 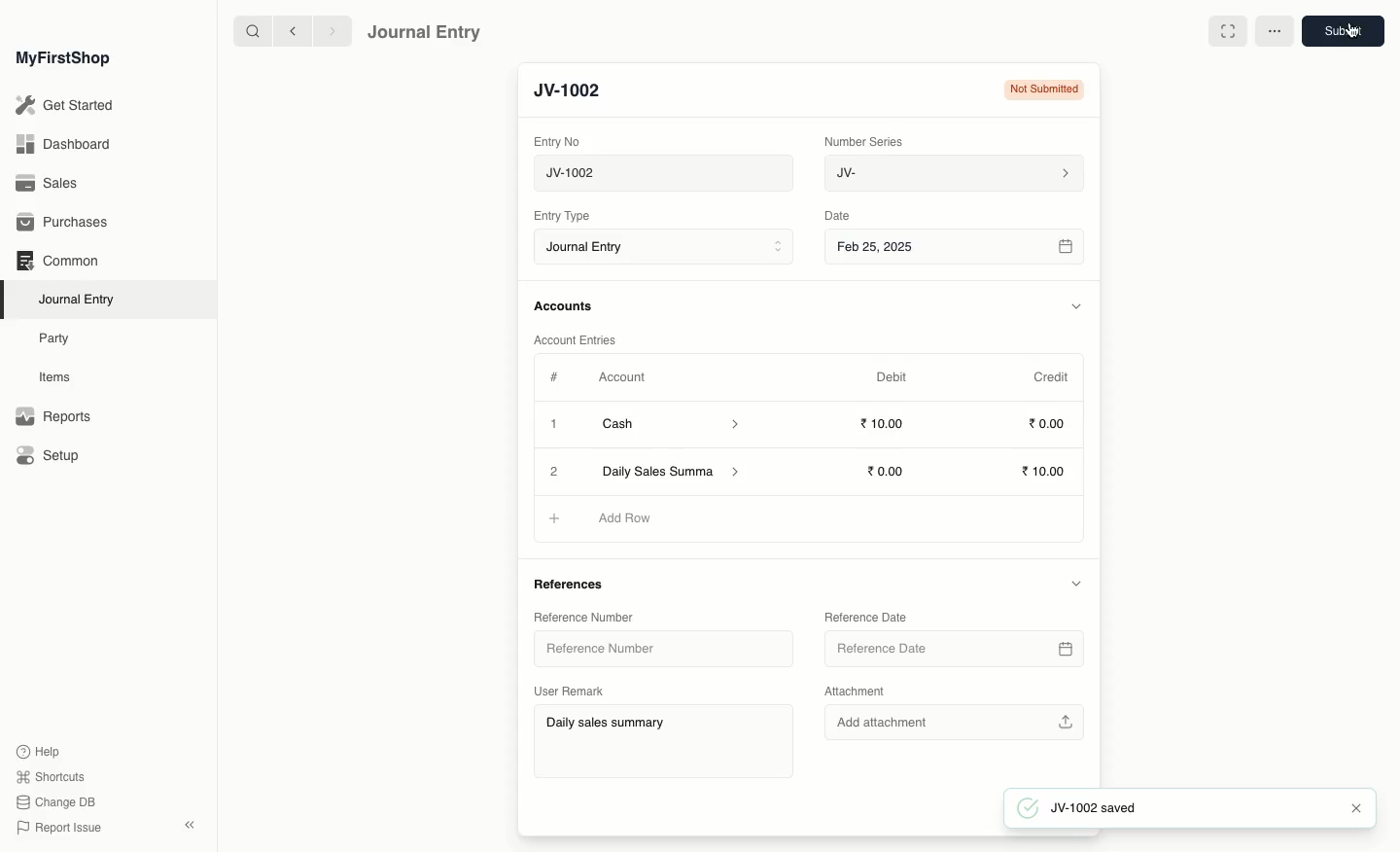 I want to click on Account Entries, so click(x=582, y=340).